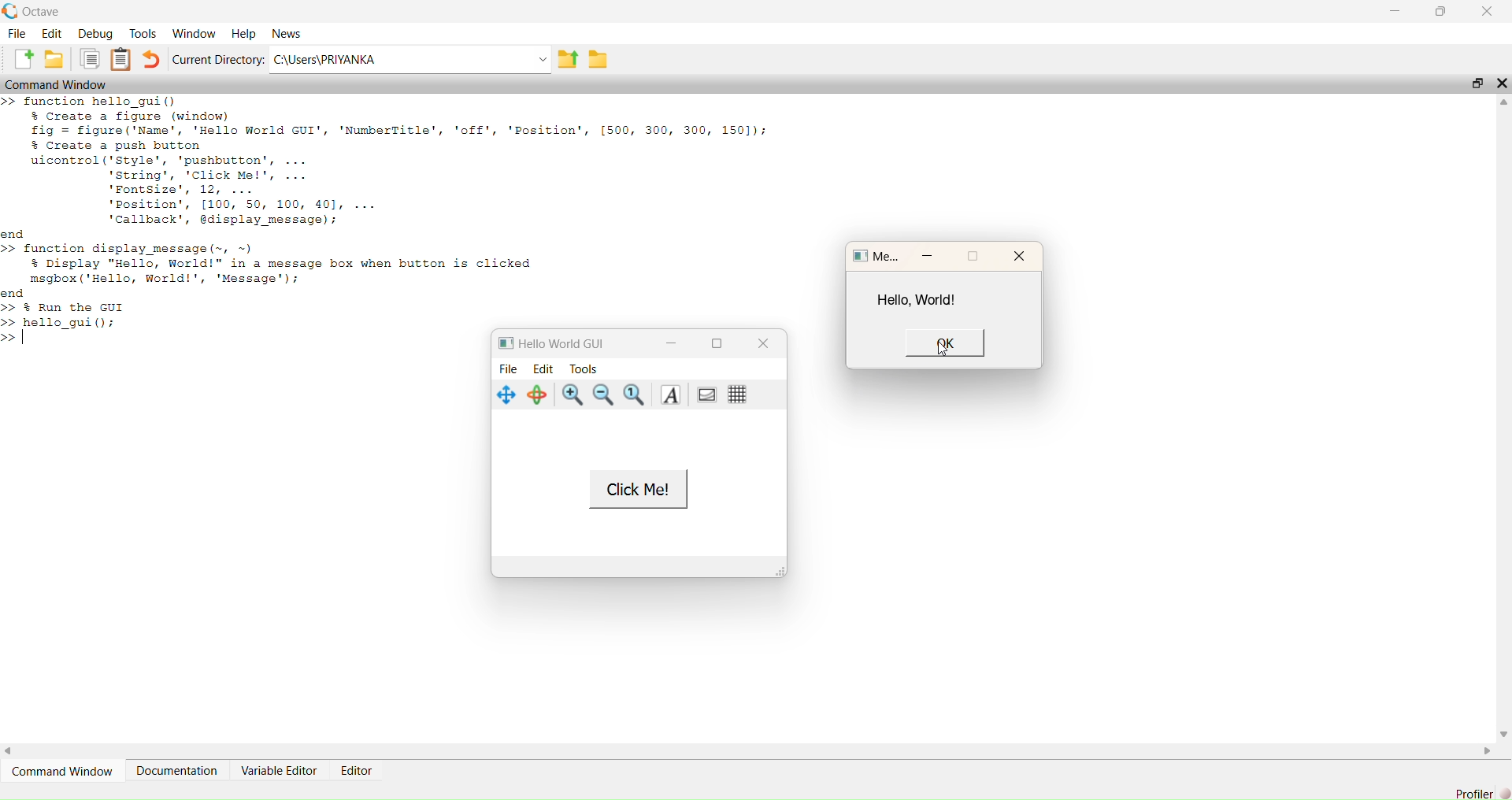  Describe the element at coordinates (876, 257) in the screenshot. I see `Me...` at that location.